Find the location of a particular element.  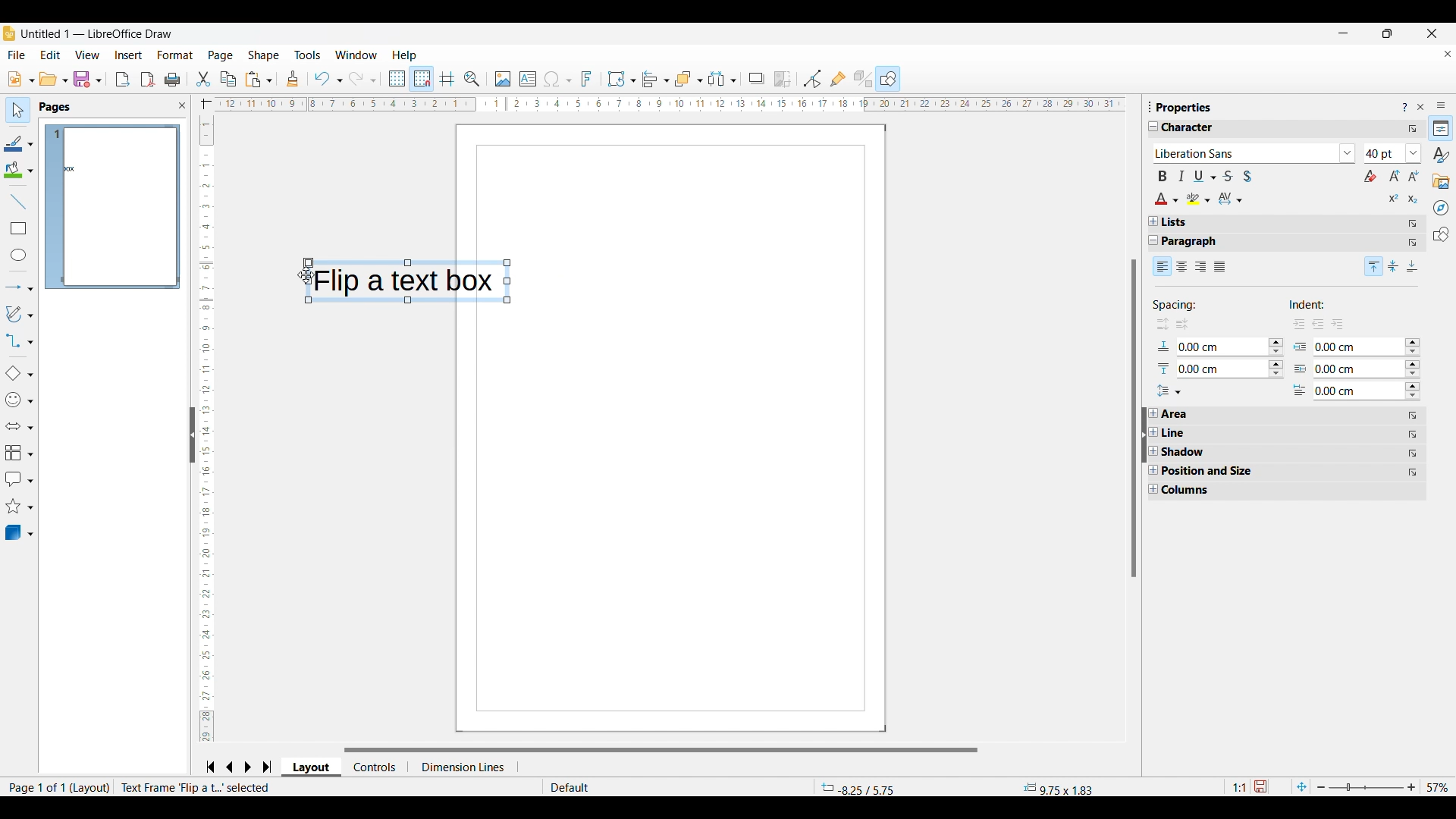

increase space is located at coordinates (1184, 325).